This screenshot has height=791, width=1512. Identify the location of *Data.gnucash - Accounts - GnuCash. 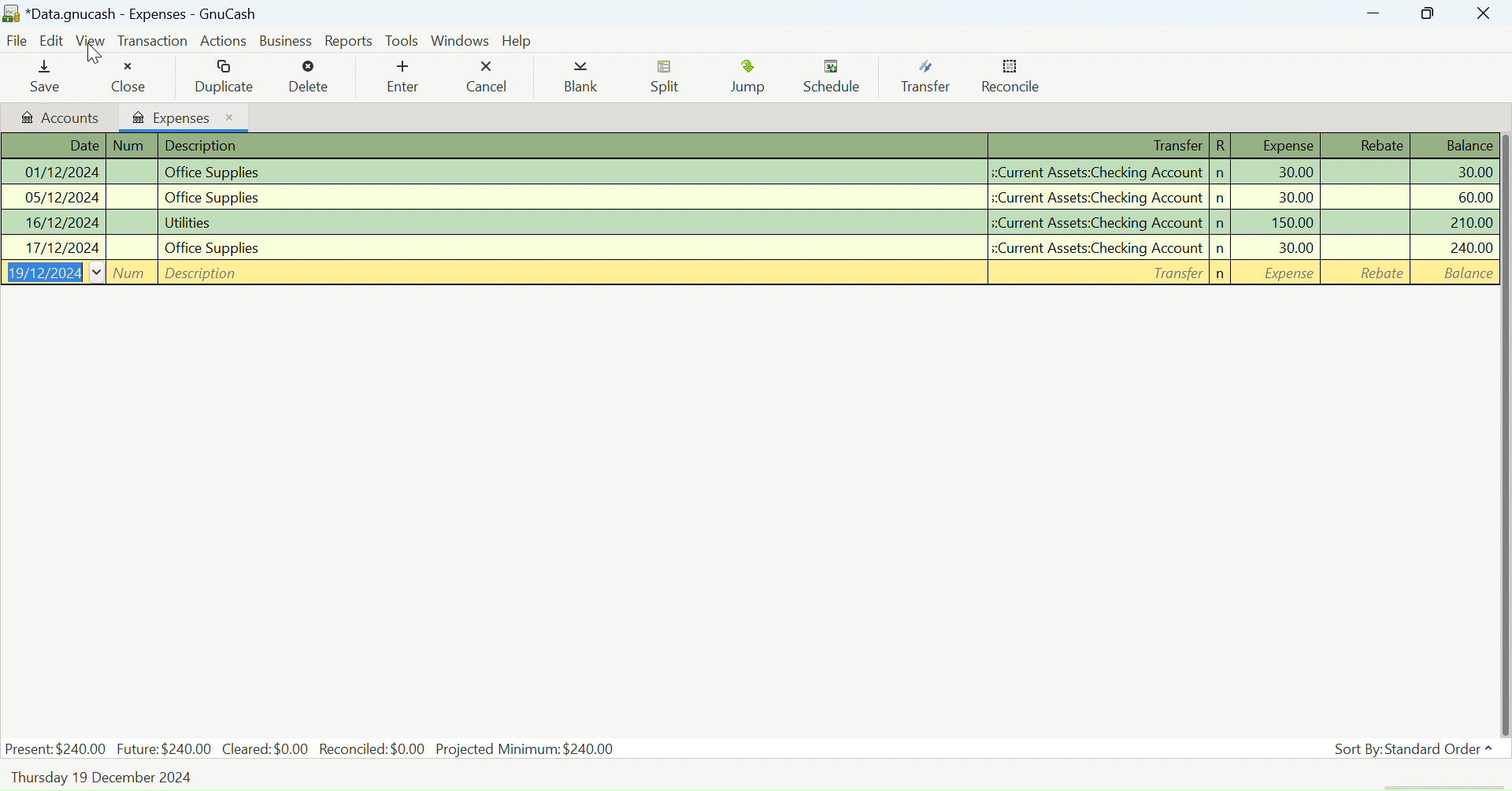
(133, 15).